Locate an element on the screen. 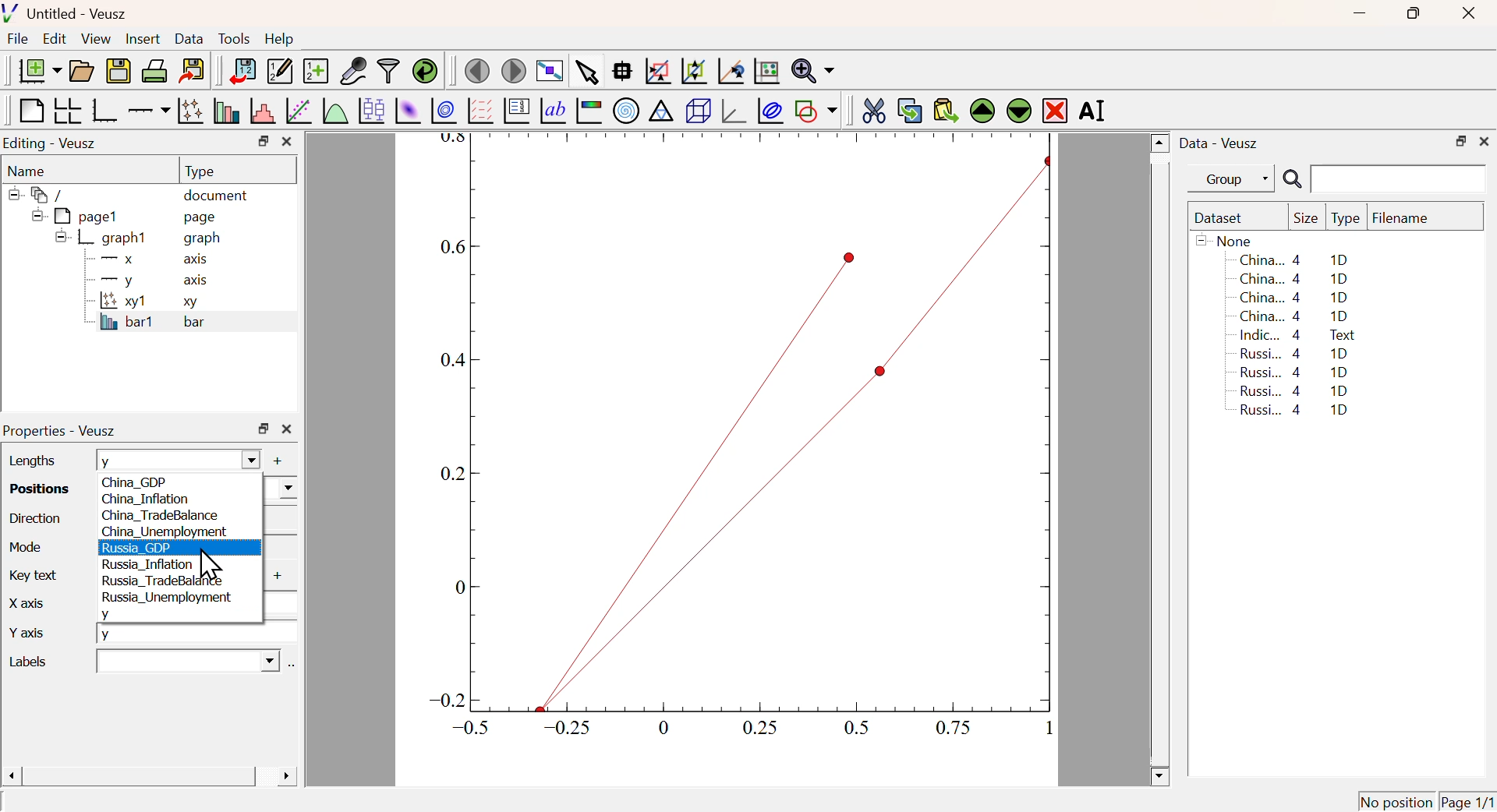 The image size is (1497, 812). China_GDP is located at coordinates (146, 482).